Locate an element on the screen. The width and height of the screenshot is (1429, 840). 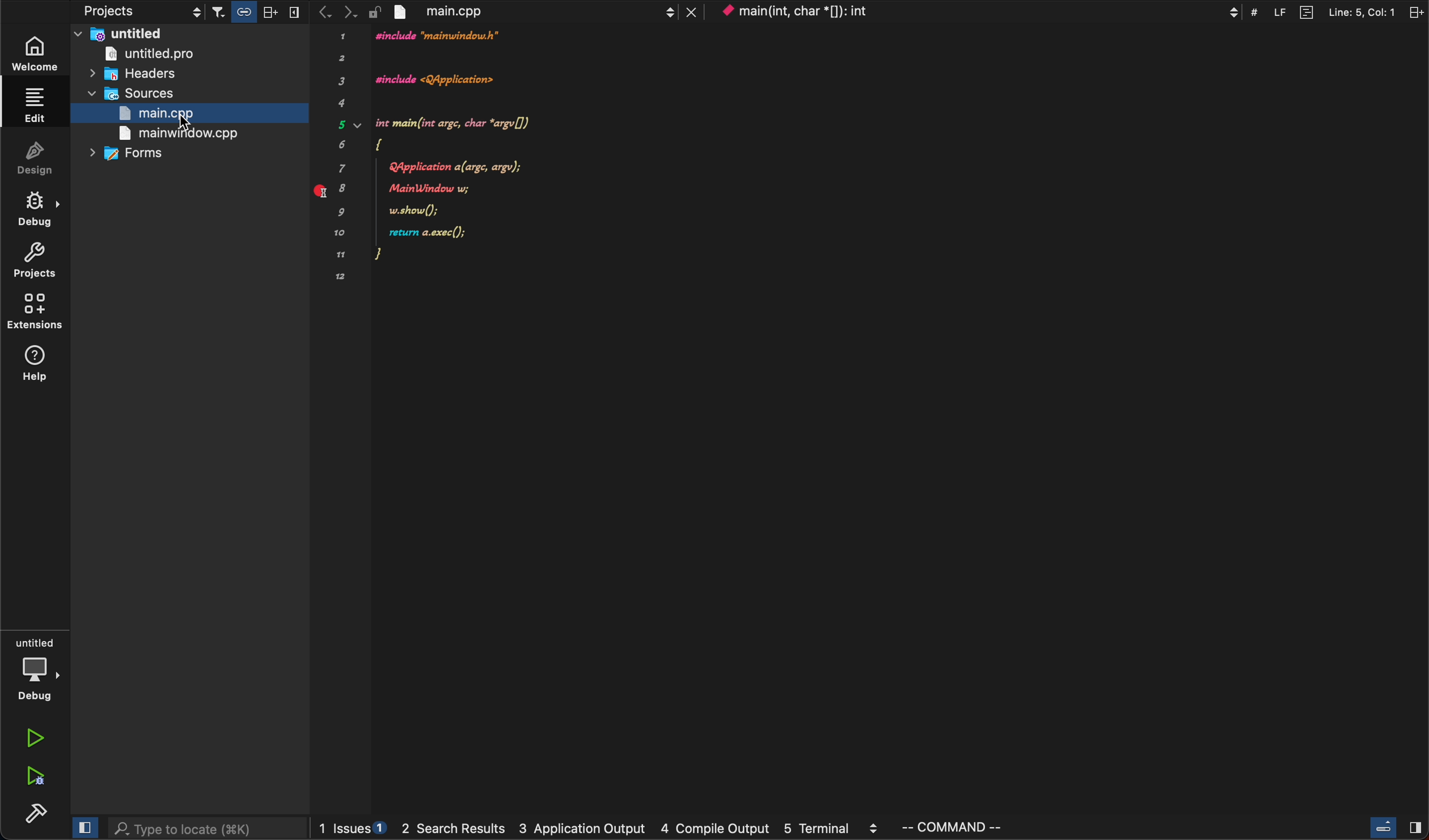
main world>cpp is located at coordinates (173, 133).